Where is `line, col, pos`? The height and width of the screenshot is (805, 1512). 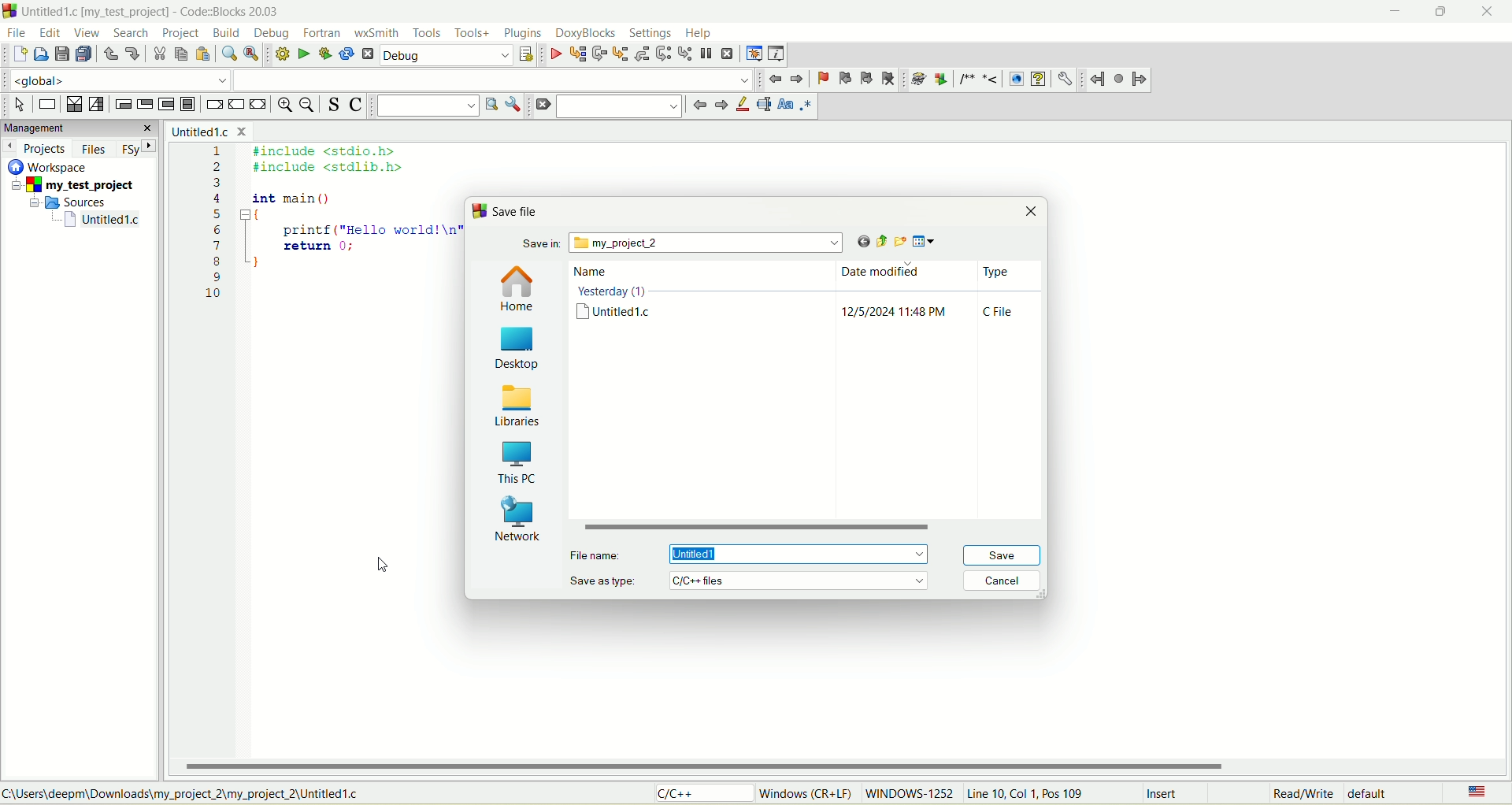 line, col, pos is located at coordinates (1027, 794).